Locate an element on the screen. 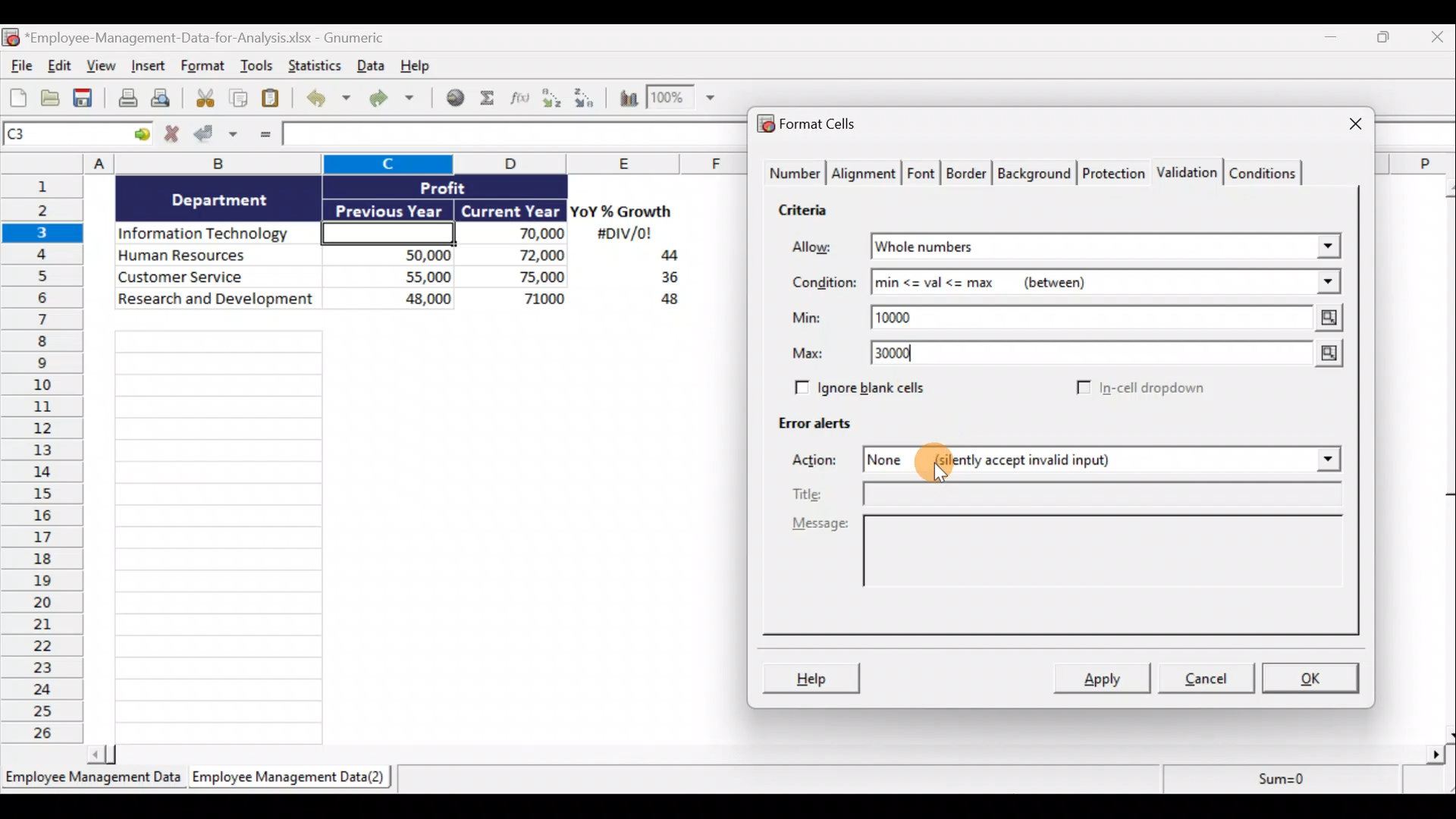 The width and height of the screenshot is (1456, 819). Restore down is located at coordinates (1385, 41).